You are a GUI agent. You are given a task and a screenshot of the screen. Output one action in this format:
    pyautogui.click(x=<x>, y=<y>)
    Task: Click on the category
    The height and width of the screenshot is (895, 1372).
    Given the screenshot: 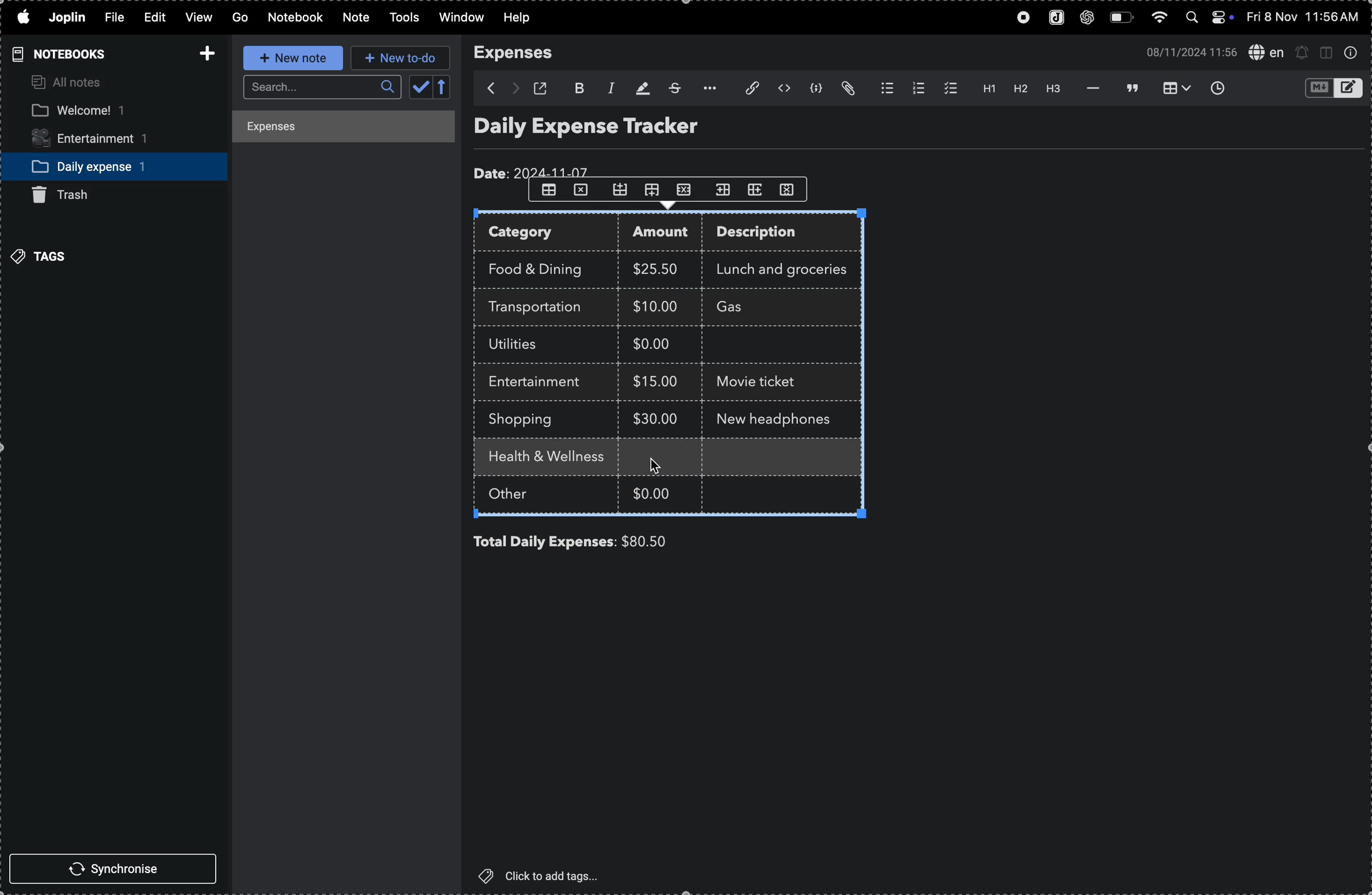 What is the action you would take?
    pyautogui.click(x=548, y=234)
    